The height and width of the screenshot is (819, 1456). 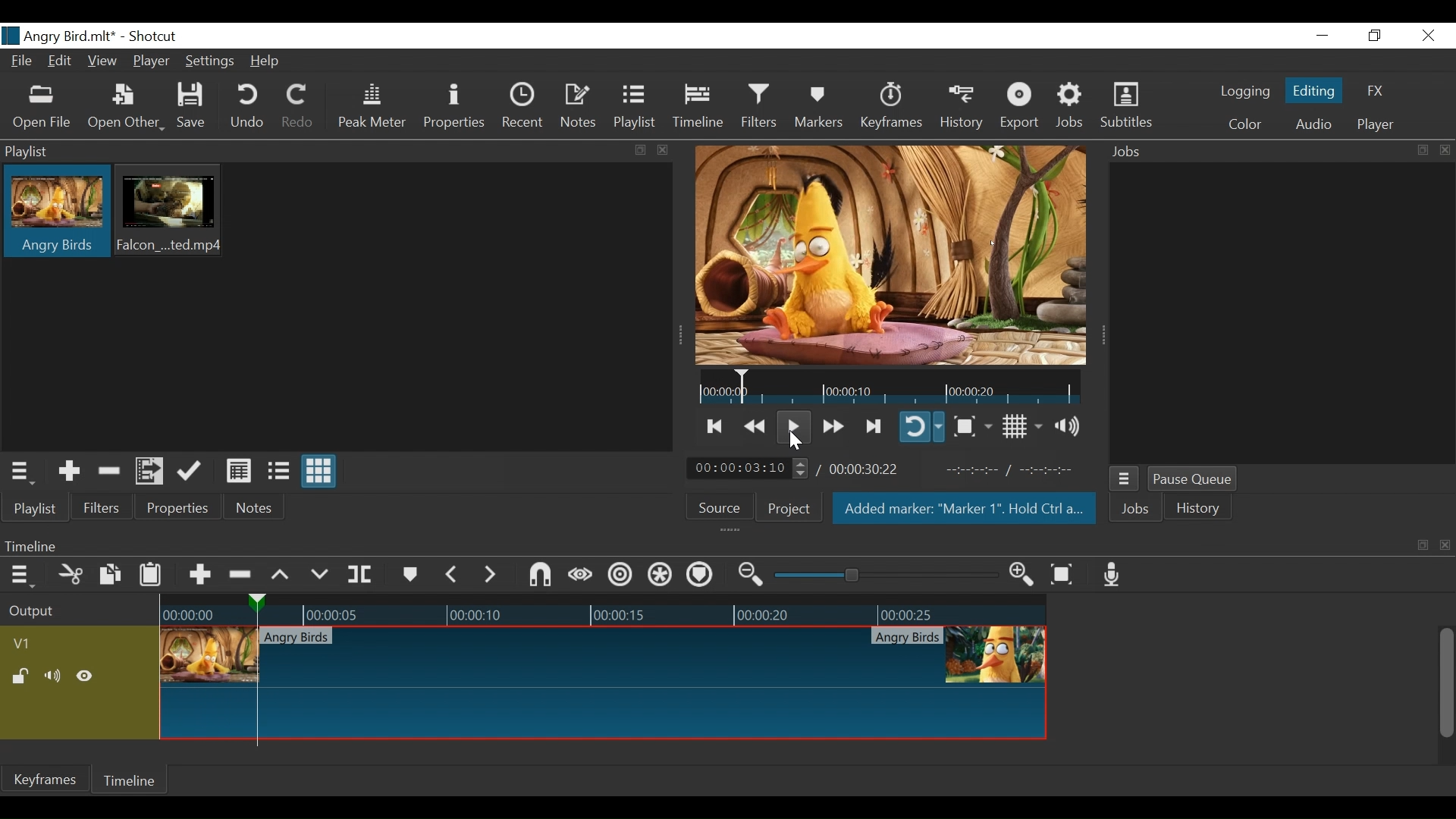 I want to click on Overwrite, so click(x=319, y=572).